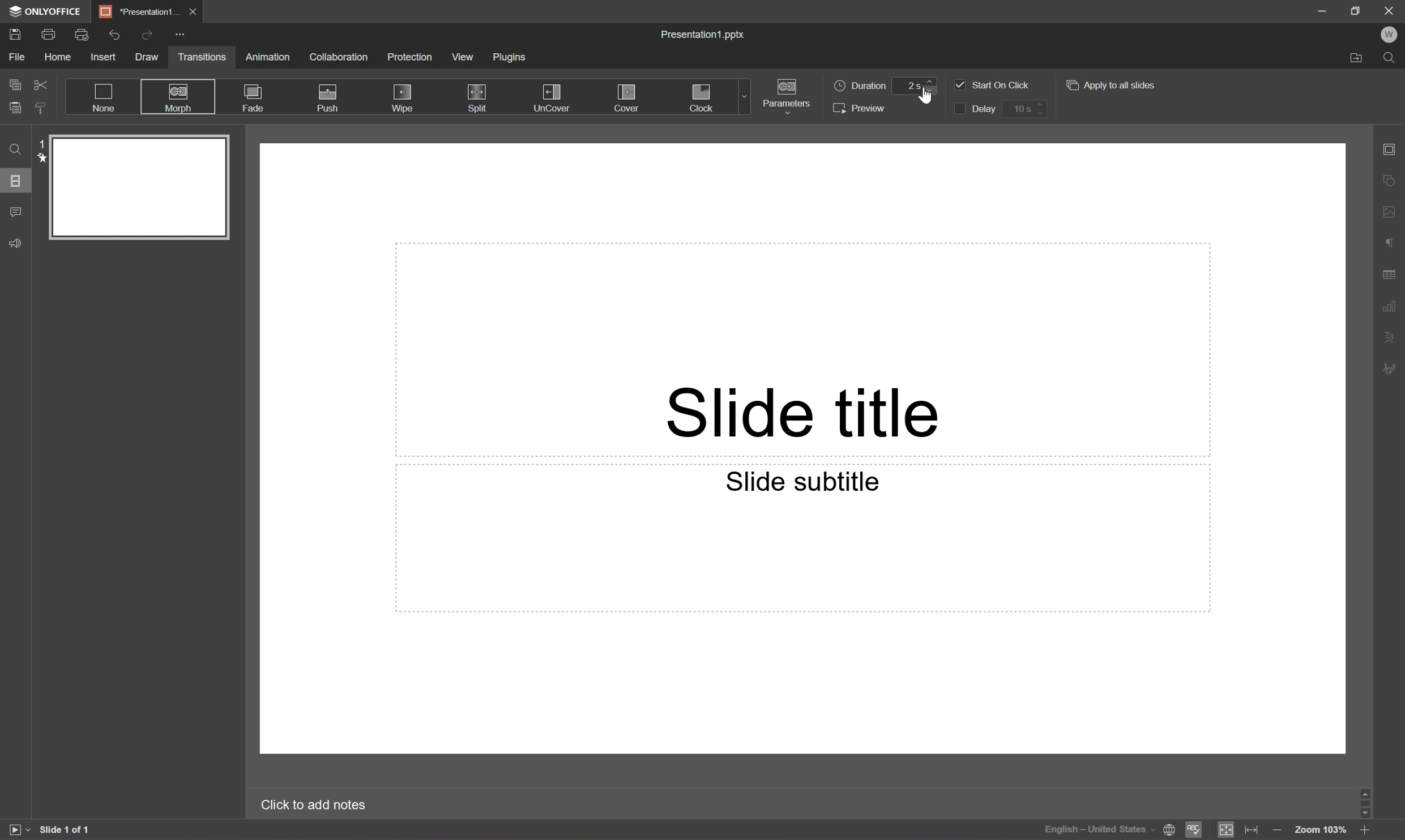 The width and height of the screenshot is (1405, 840). I want to click on Draw, so click(148, 57).